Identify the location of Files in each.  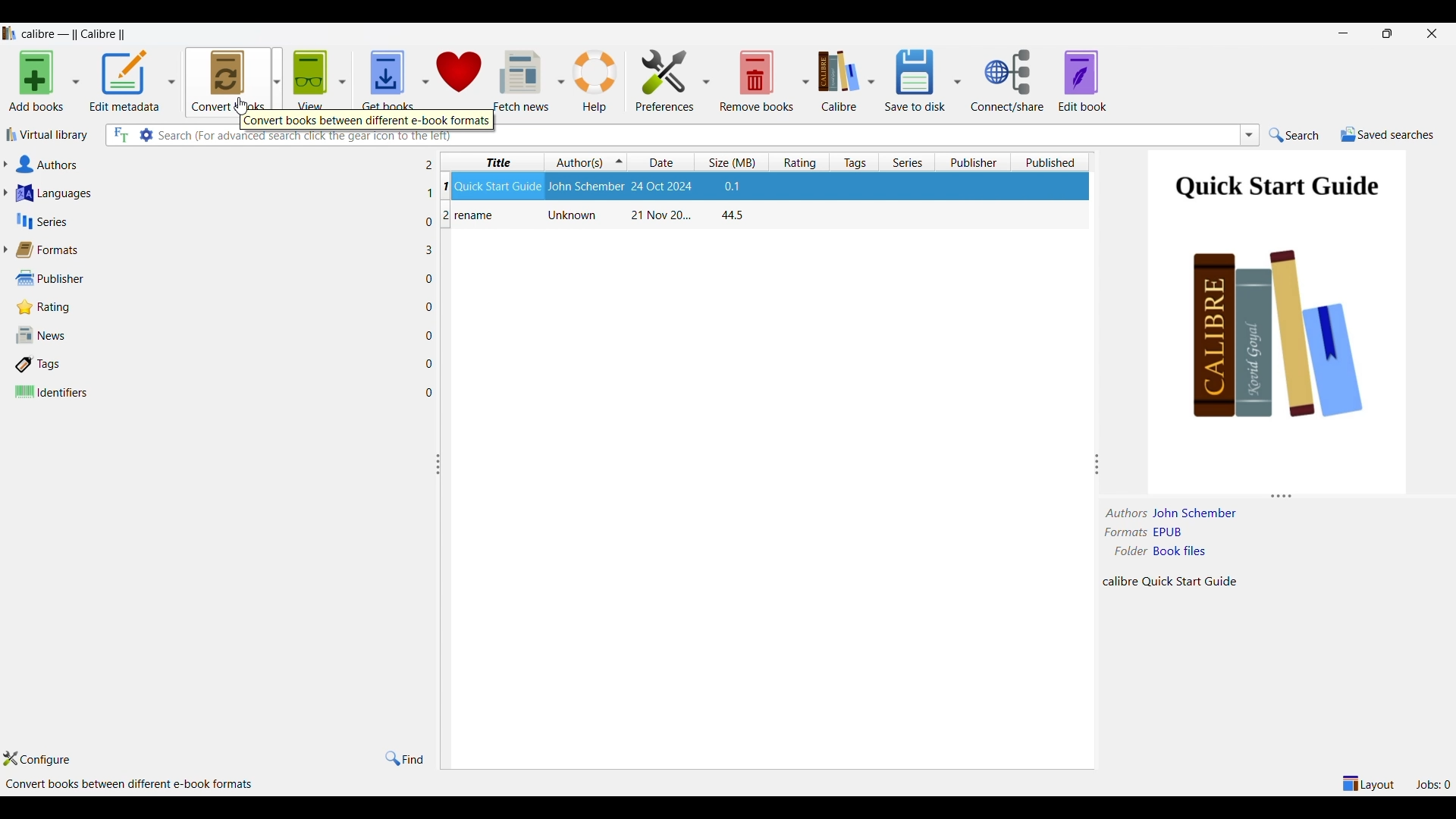
(431, 277).